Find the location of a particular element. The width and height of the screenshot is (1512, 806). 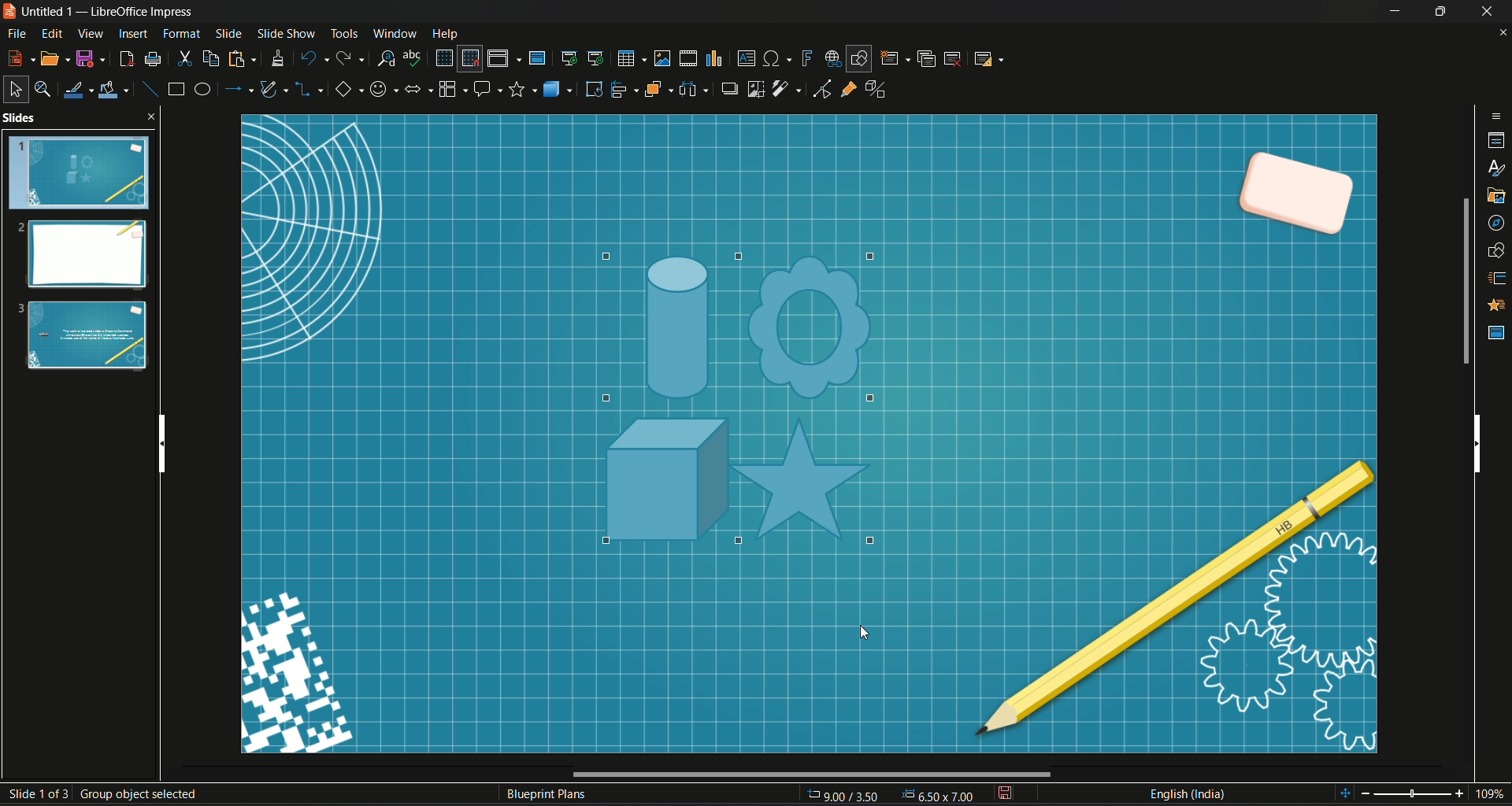

Minimize is located at coordinates (1395, 11).